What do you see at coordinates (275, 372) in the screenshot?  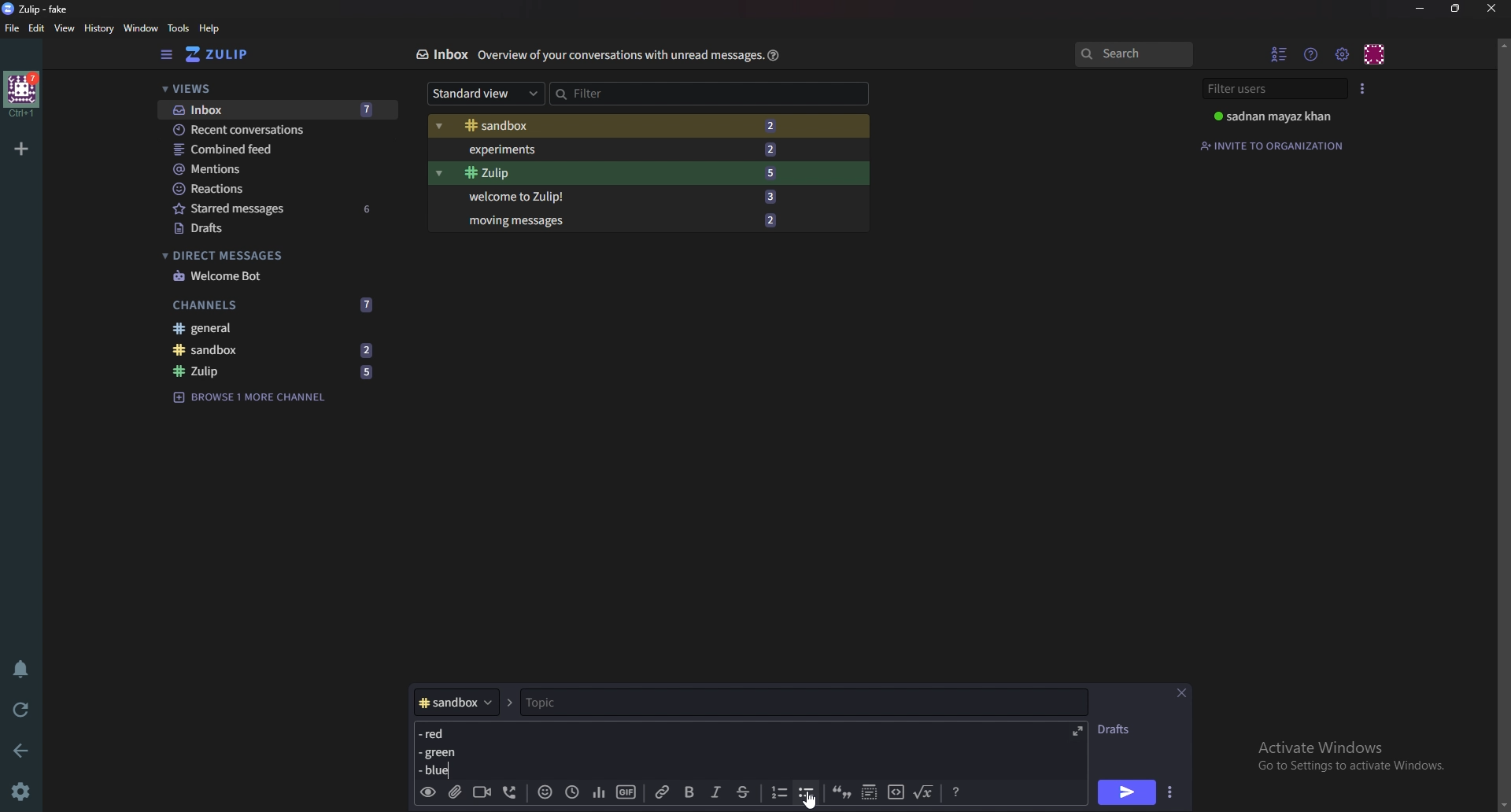 I see `Zulip` at bounding box center [275, 372].